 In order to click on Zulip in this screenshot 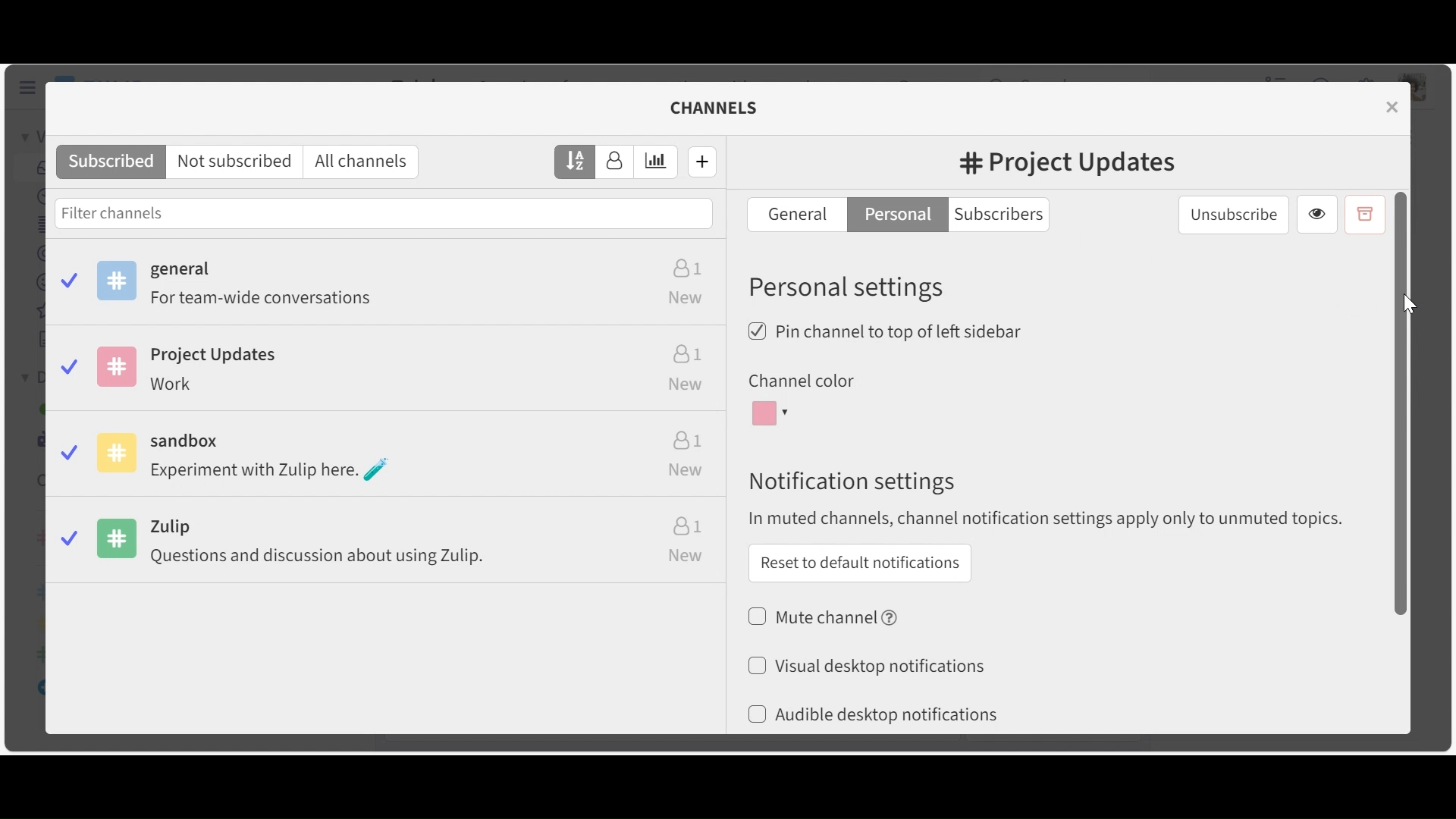, I will do `click(388, 547)`.